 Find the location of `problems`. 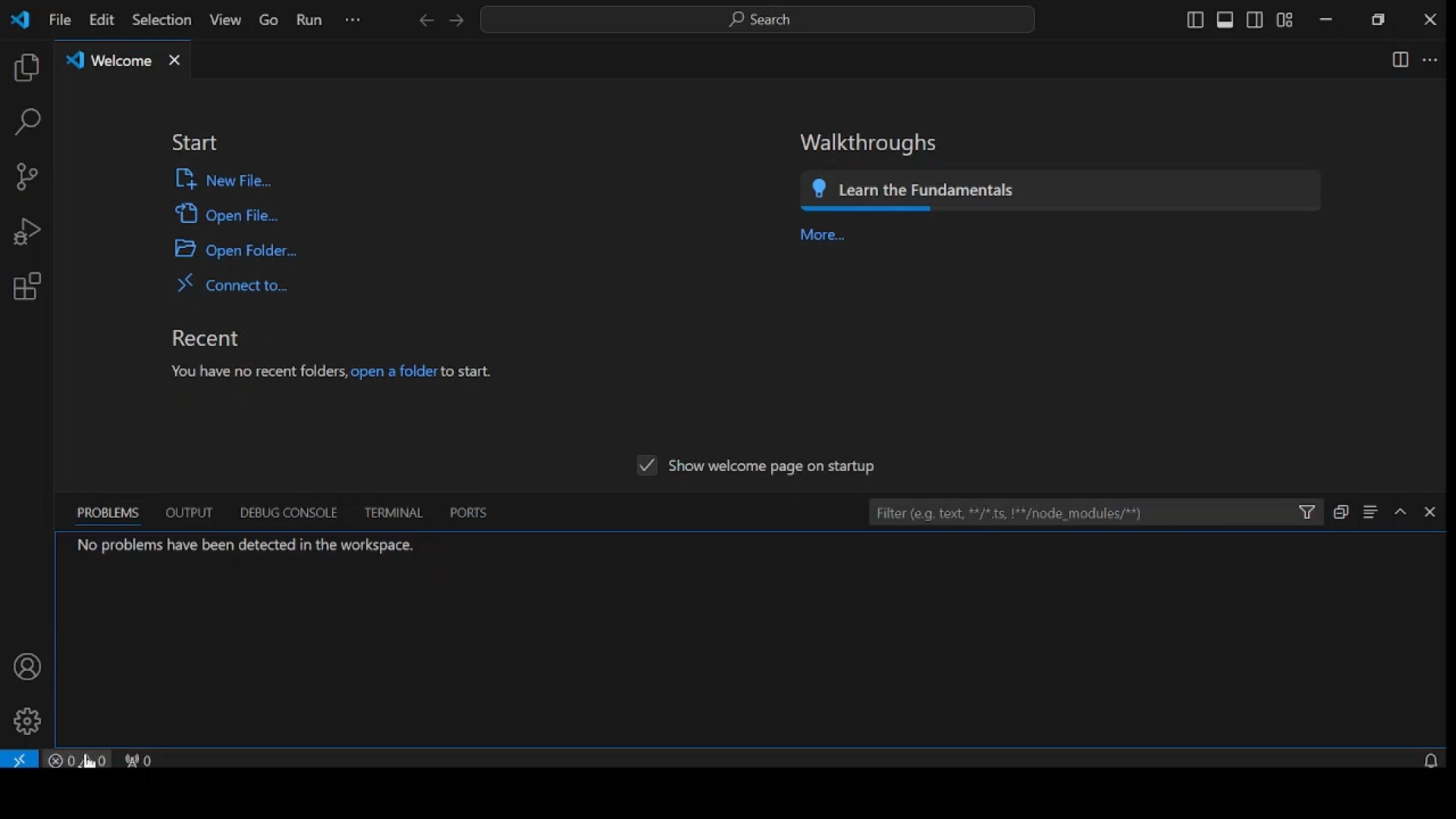

problems is located at coordinates (110, 515).